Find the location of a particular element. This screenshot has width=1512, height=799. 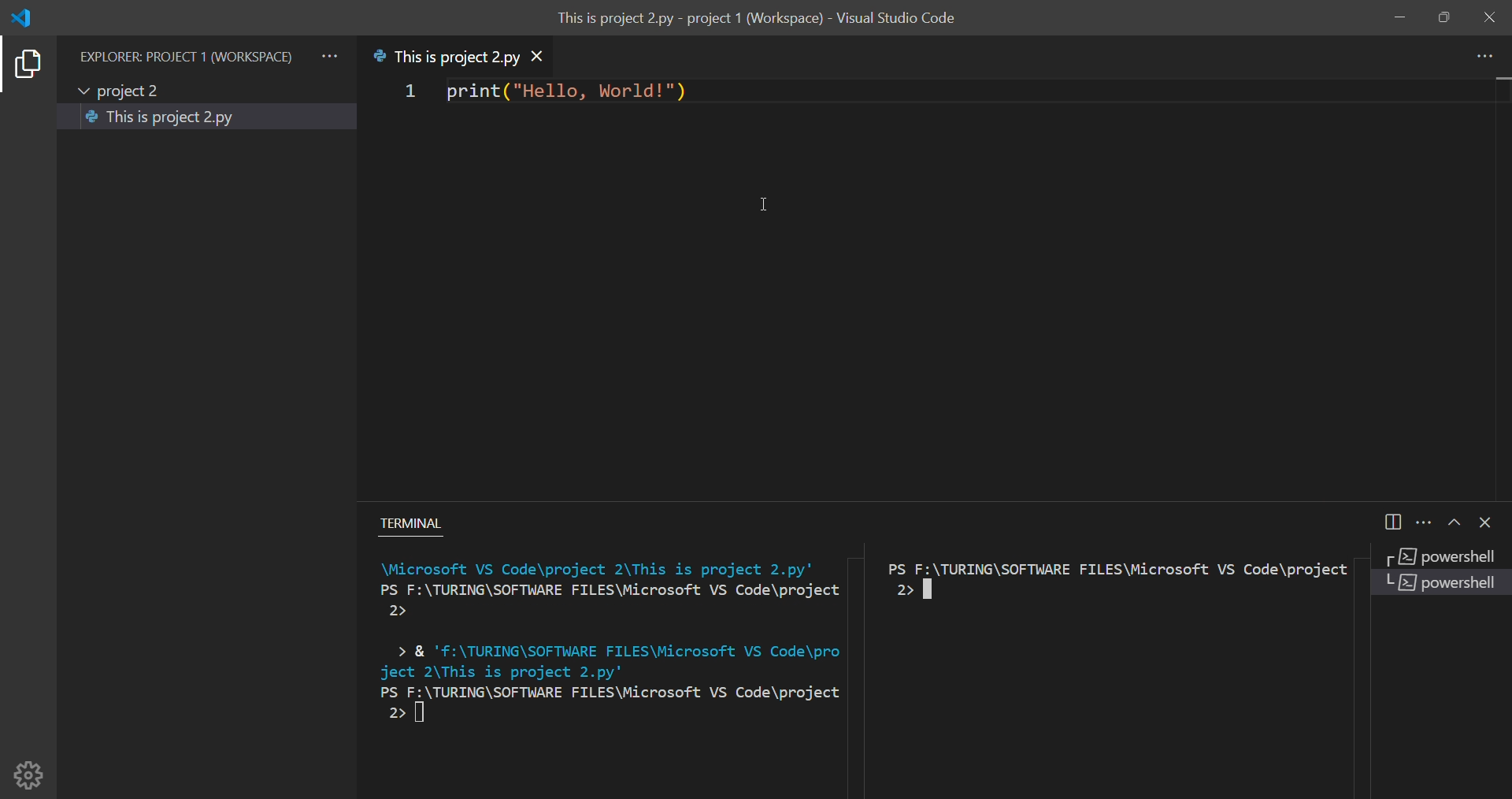

maximize is located at coordinates (1444, 19).